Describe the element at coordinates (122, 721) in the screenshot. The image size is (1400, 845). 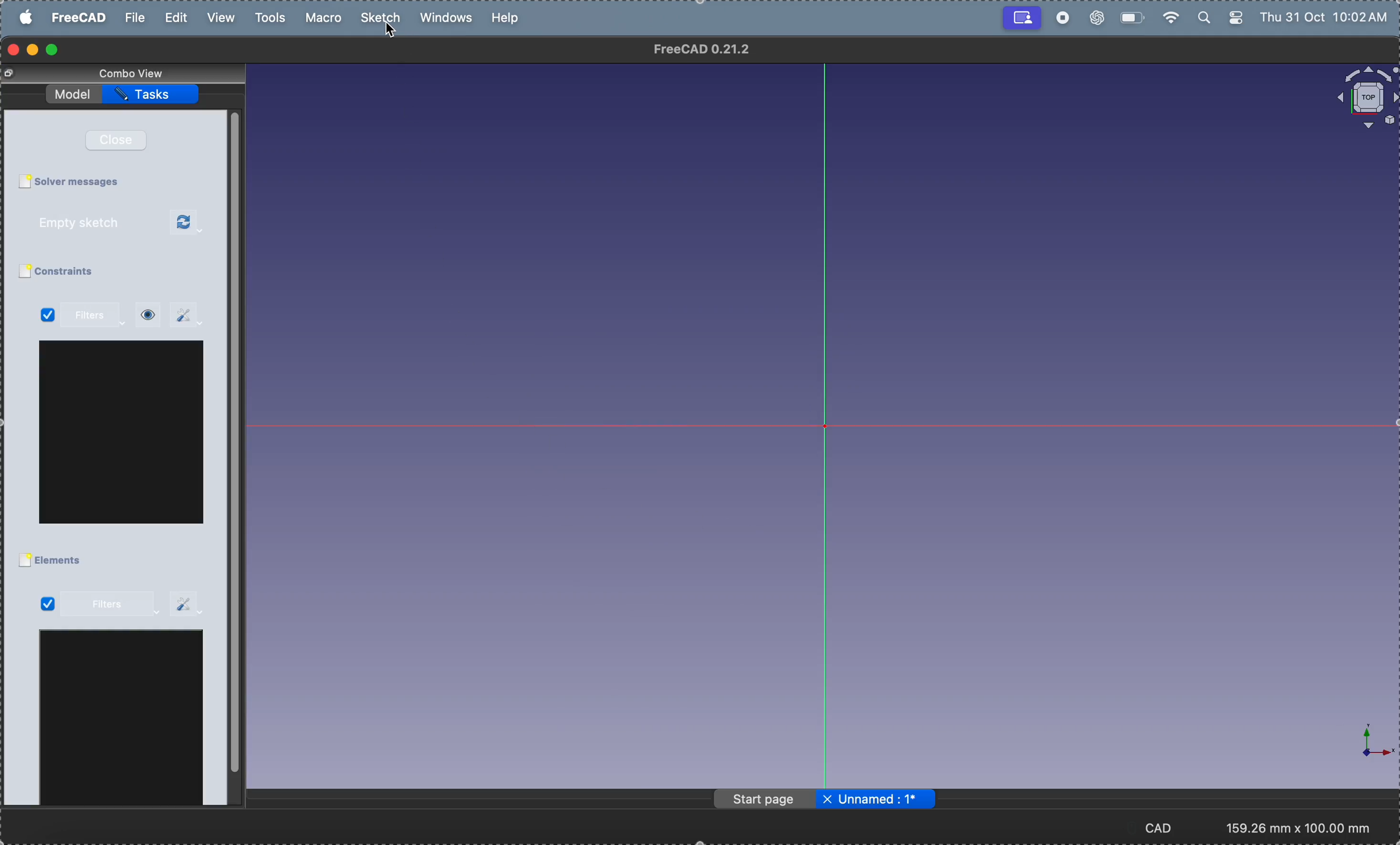
I see `window` at that location.